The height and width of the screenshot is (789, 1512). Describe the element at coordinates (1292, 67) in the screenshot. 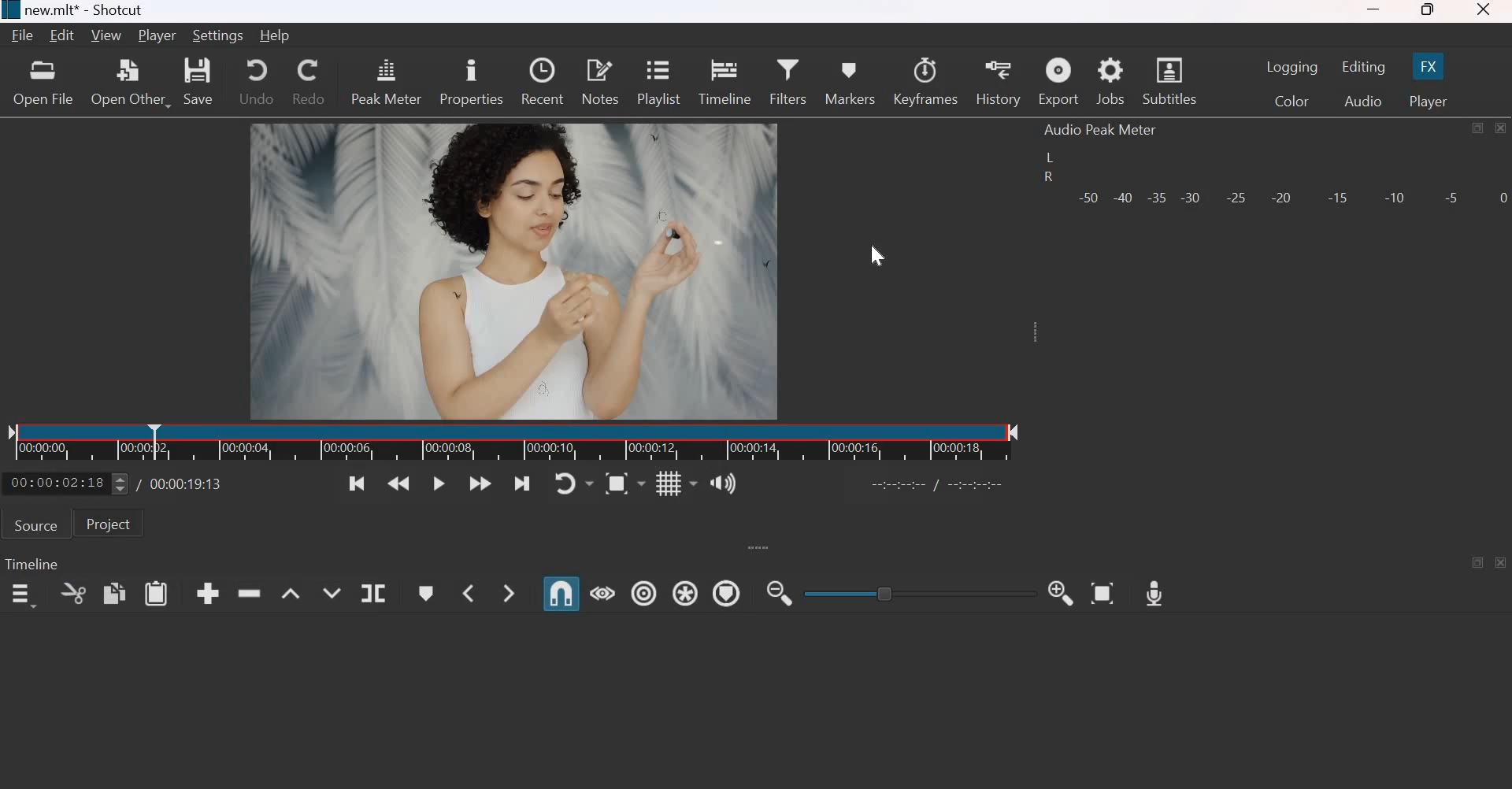

I see `Logging` at that location.